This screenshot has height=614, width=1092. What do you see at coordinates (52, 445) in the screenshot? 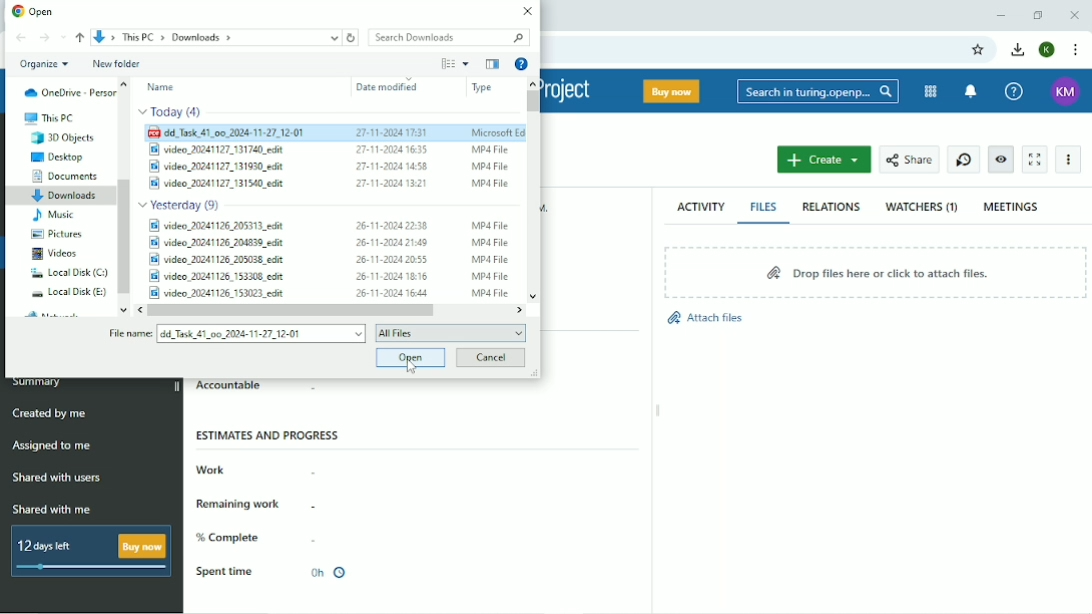
I see `Assigned to me` at bounding box center [52, 445].